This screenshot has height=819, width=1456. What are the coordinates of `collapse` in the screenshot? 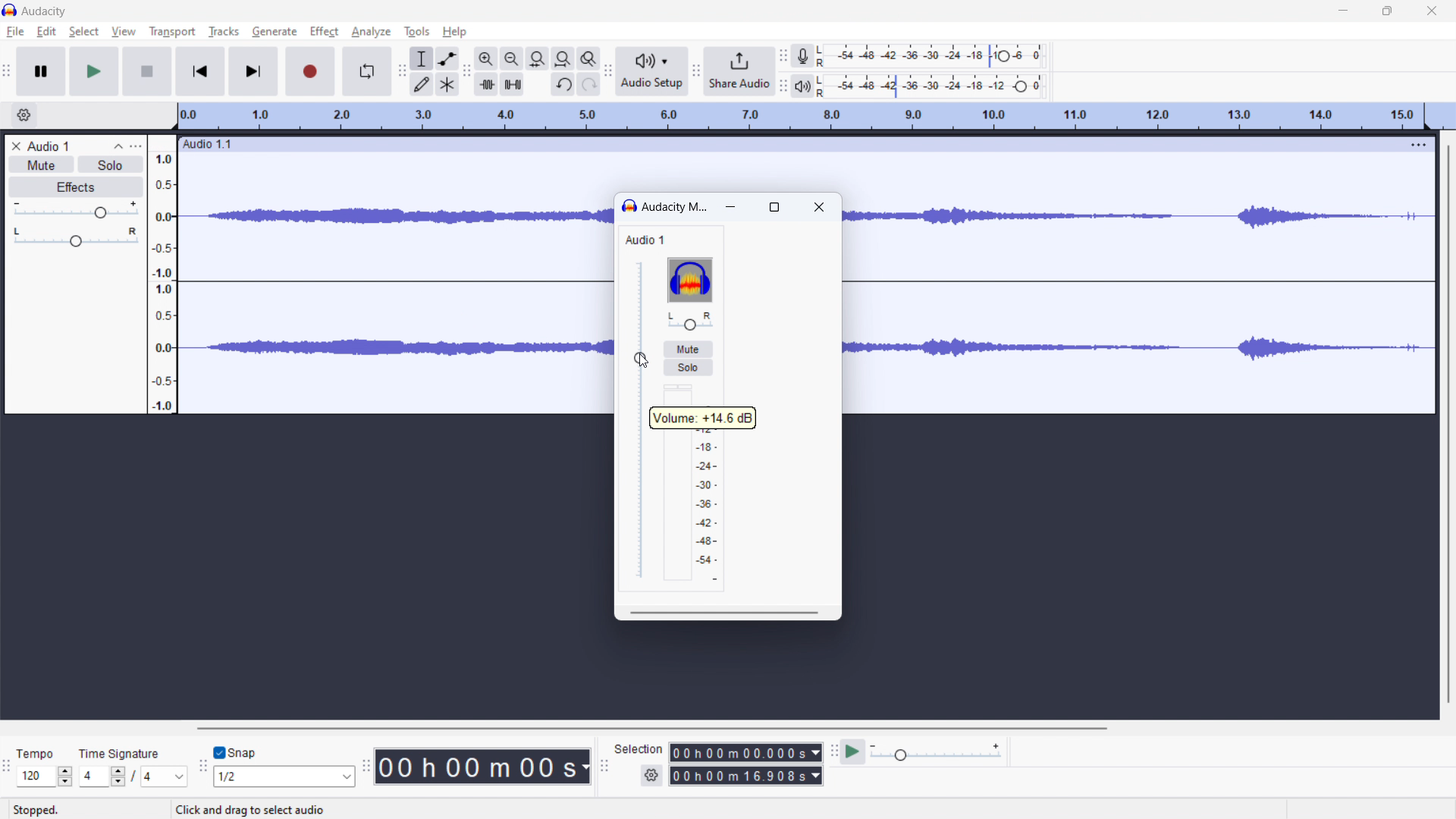 It's located at (118, 146).